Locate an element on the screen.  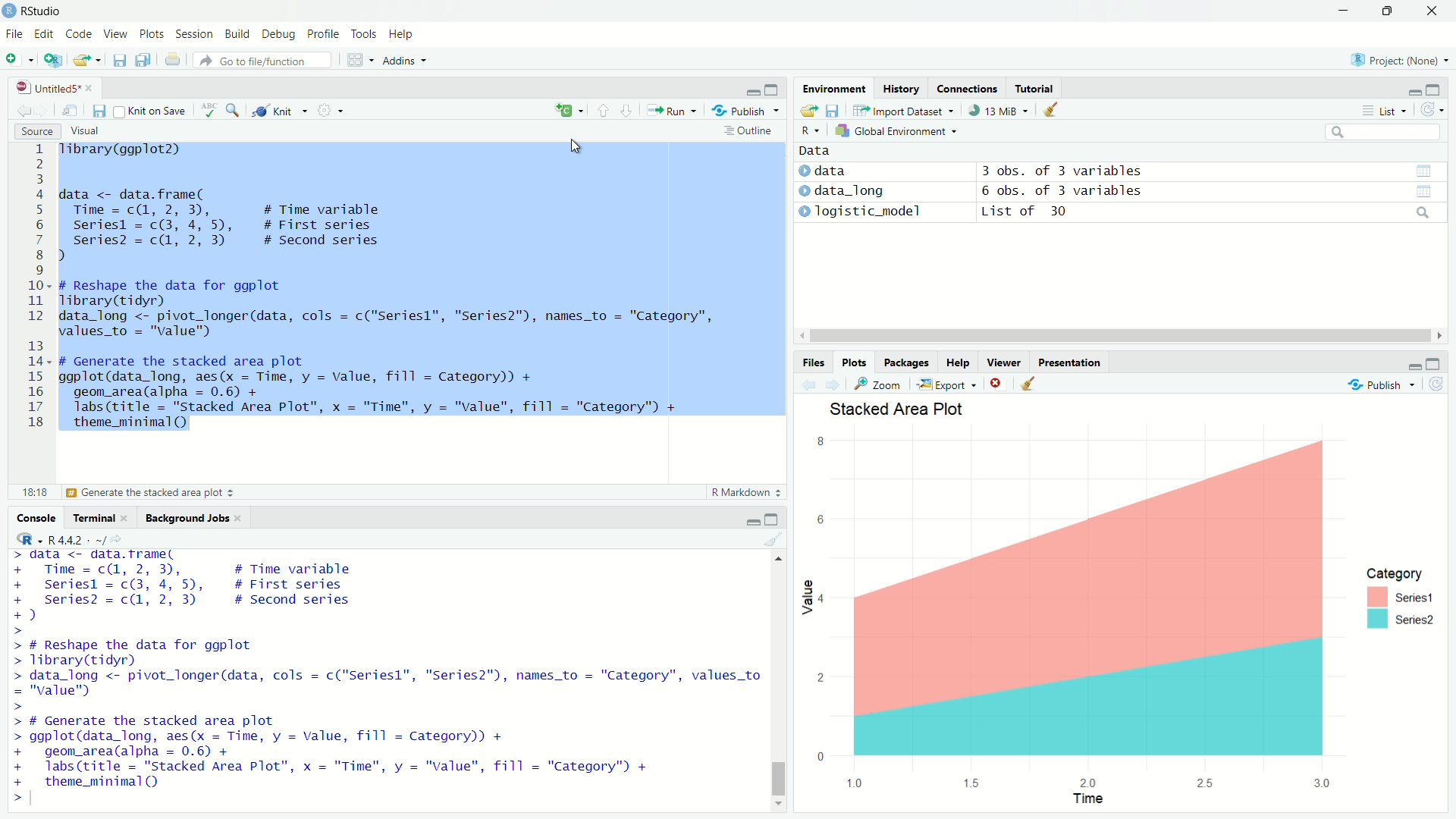
Time is located at coordinates (1090, 799).